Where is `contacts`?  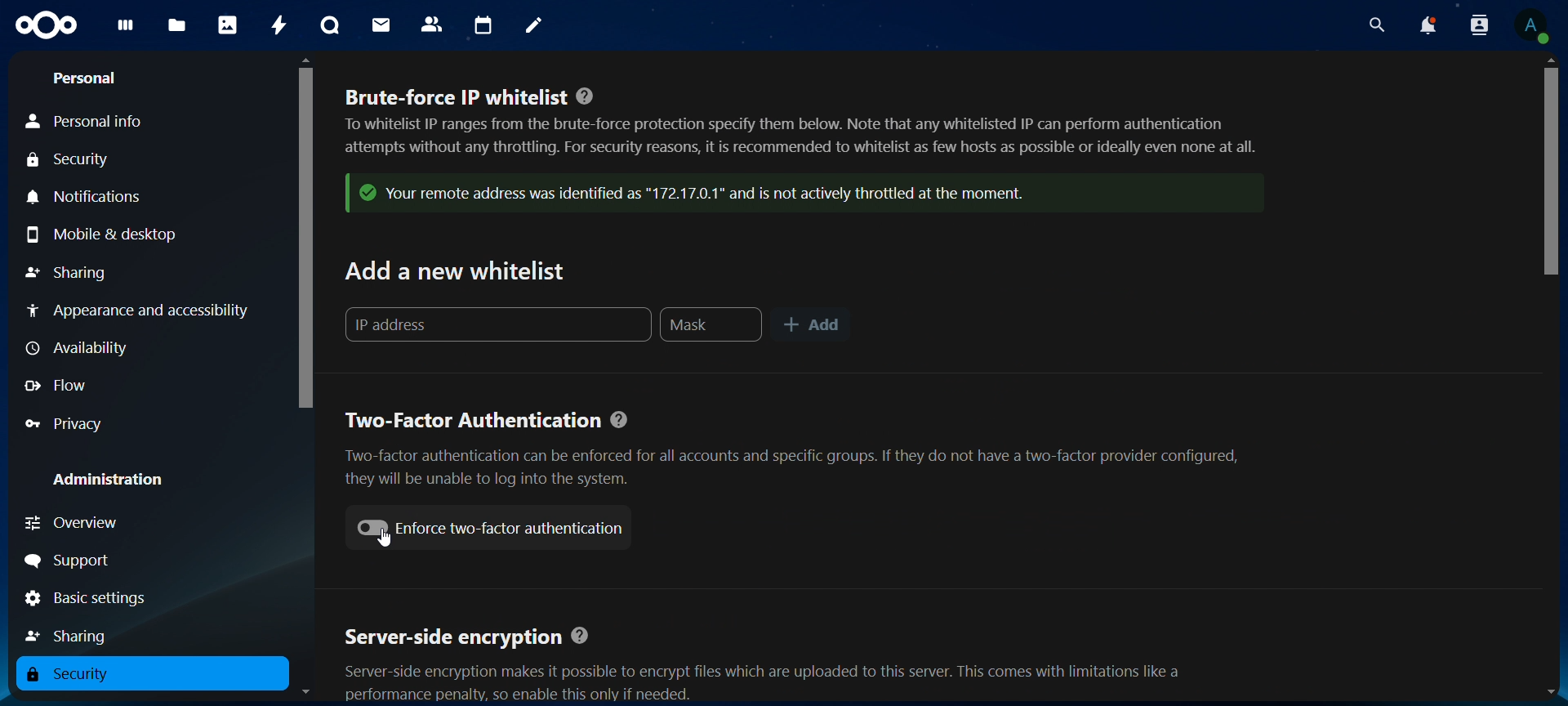 contacts is located at coordinates (433, 22).